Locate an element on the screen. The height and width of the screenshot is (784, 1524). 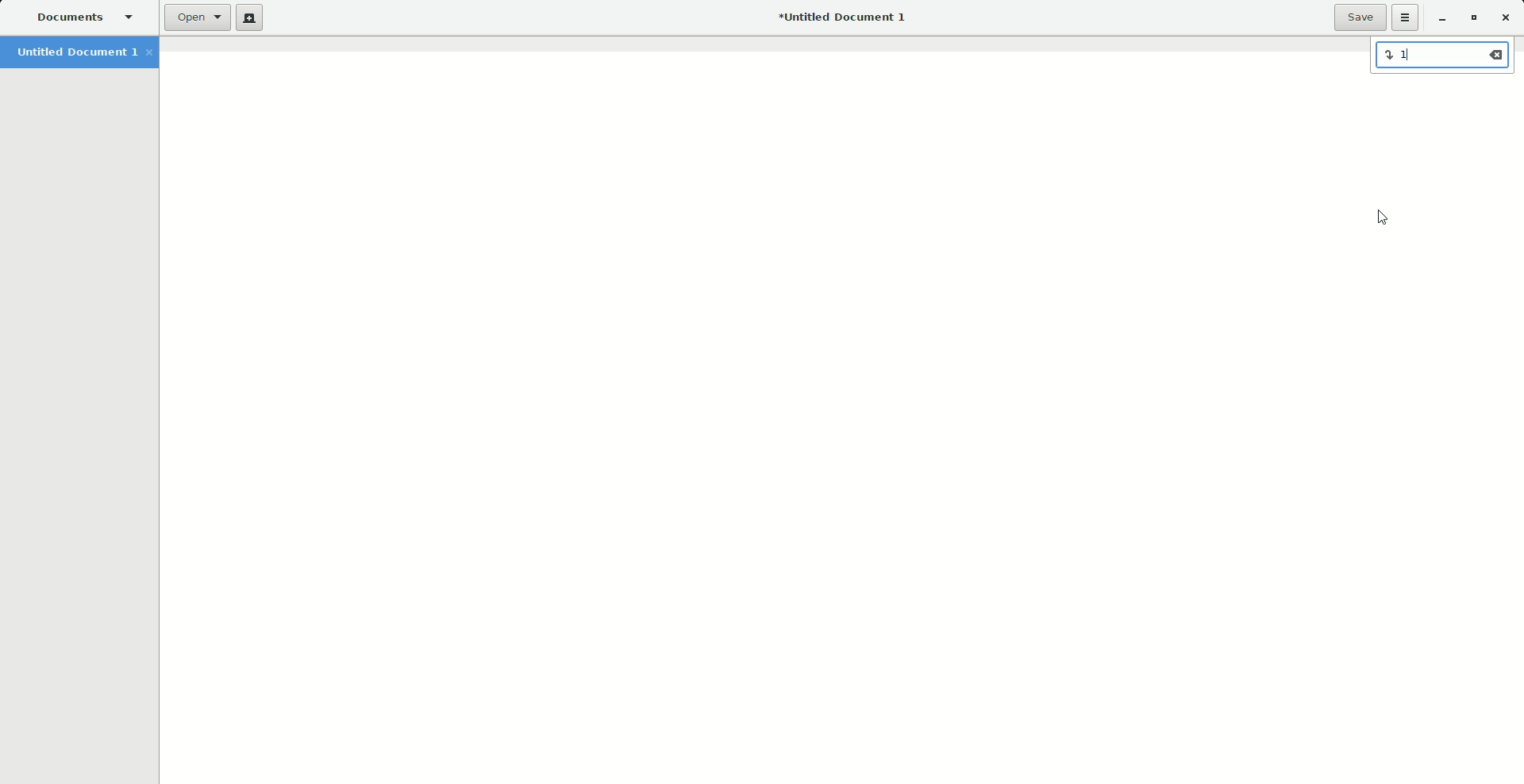
Close is located at coordinates (1506, 17).